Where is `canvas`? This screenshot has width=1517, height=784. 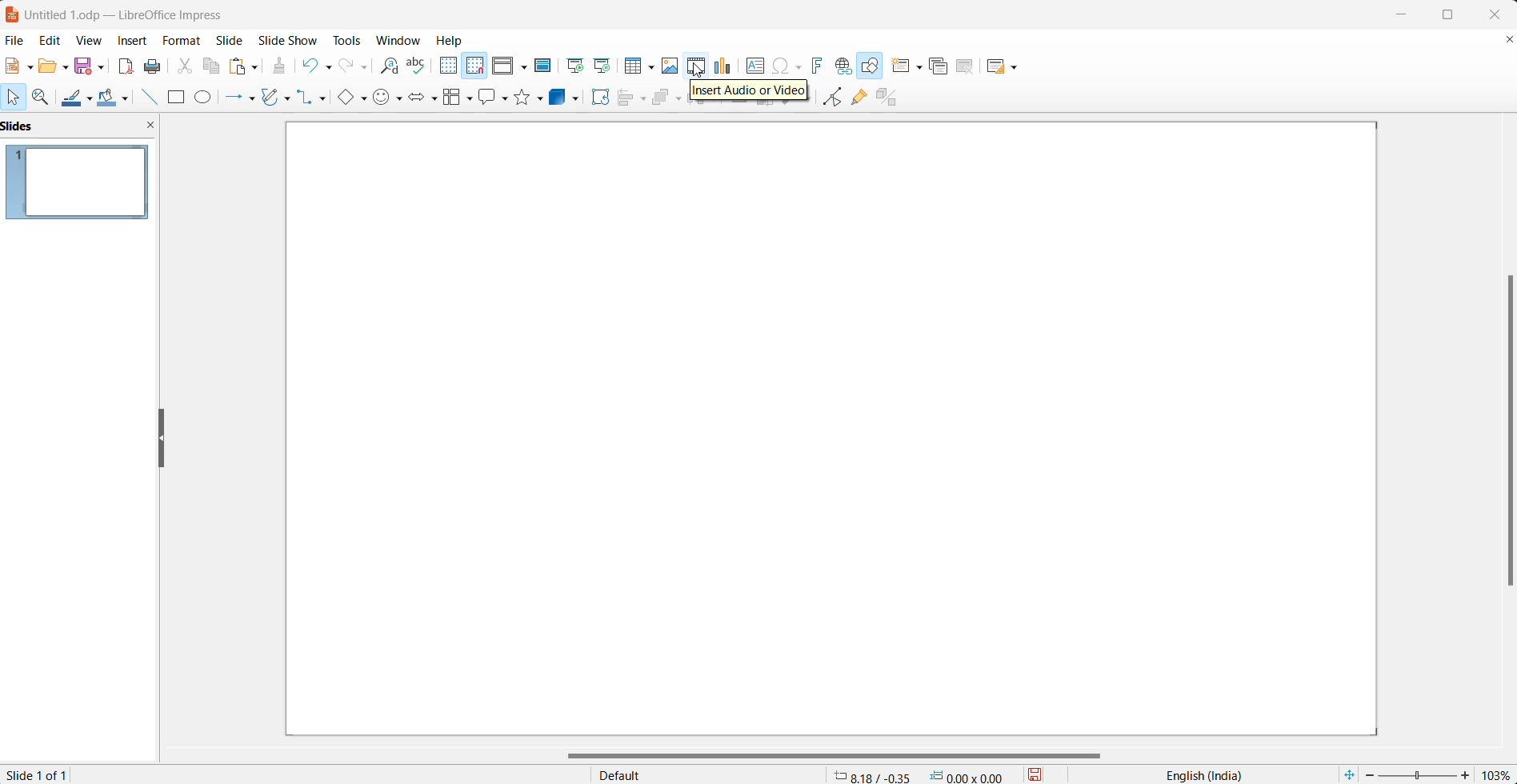
canvas is located at coordinates (828, 429).